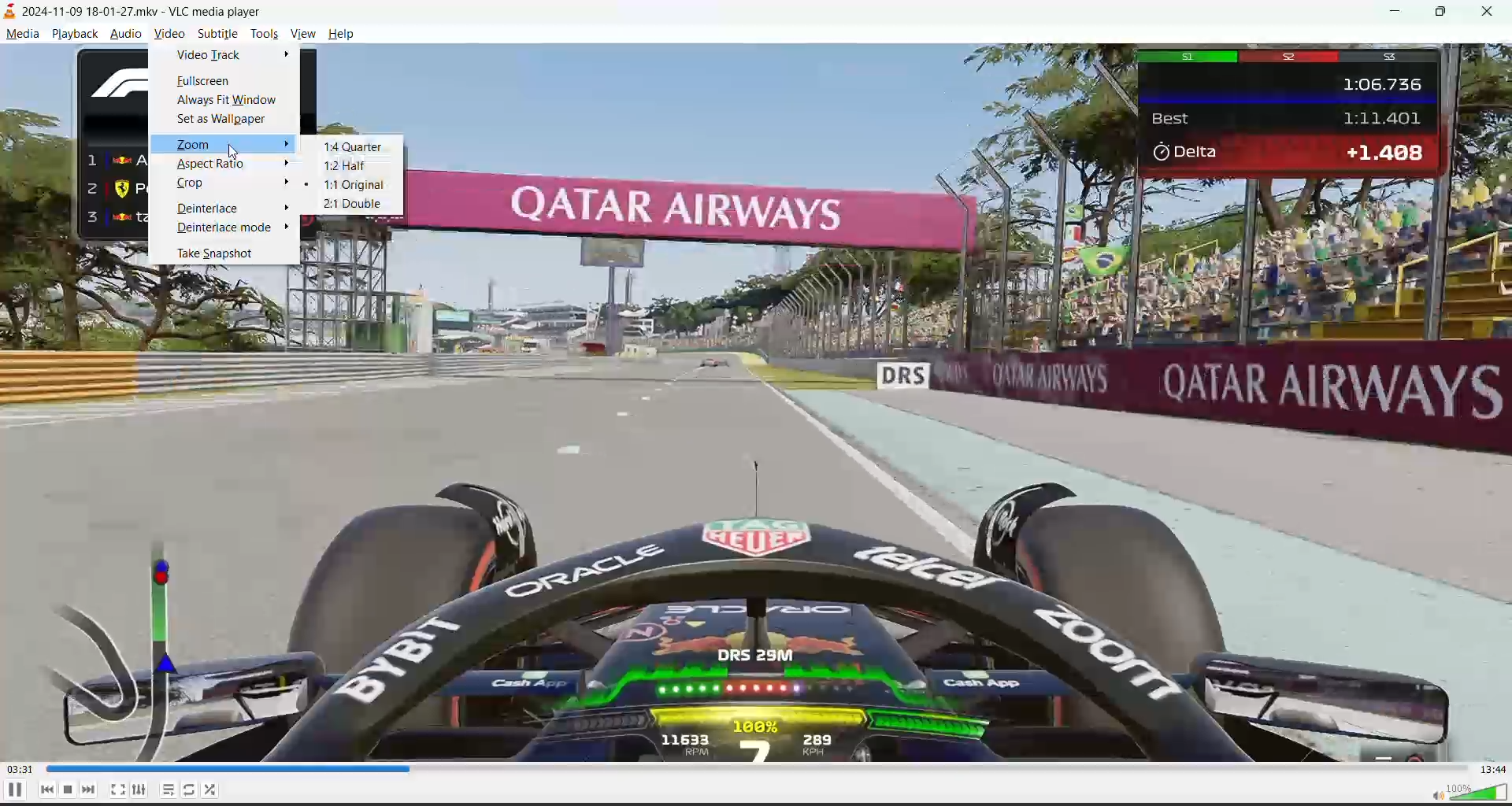  Describe the element at coordinates (117, 789) in the screenshot. I see `toggle fullscreen` at that location.